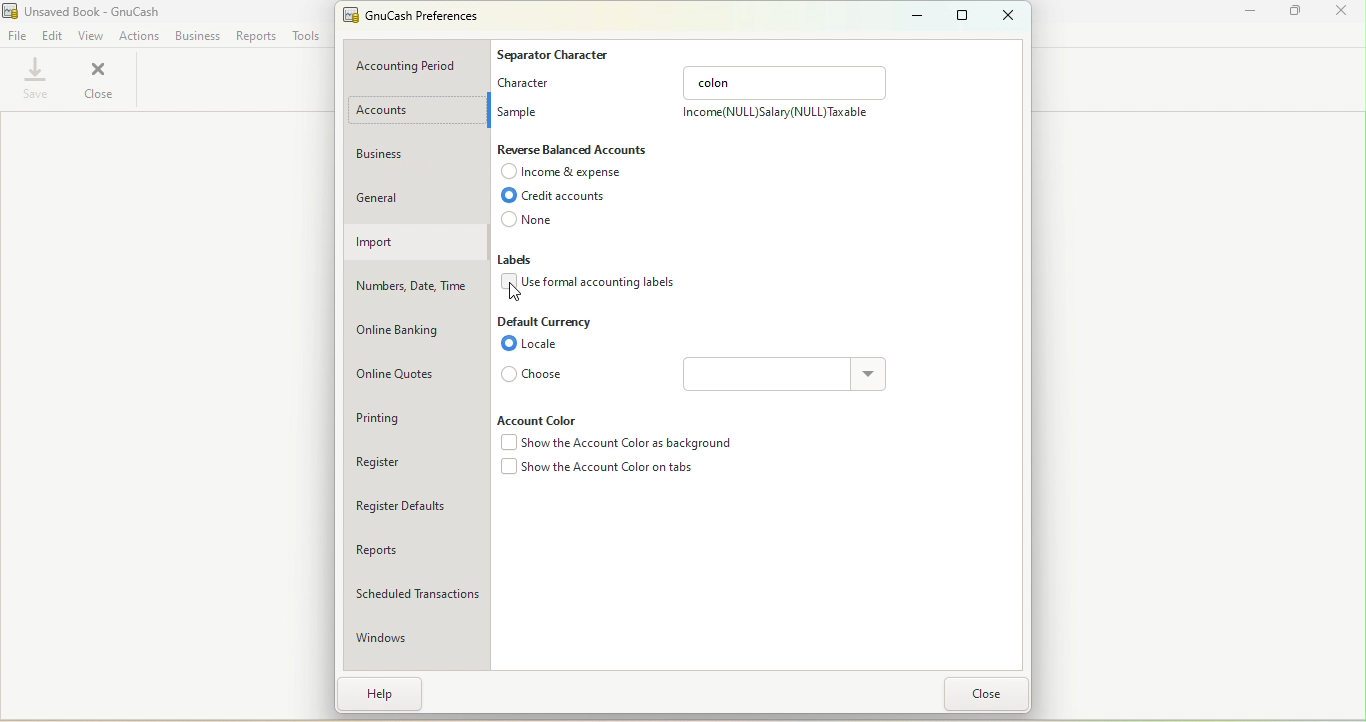 This screenshot has width=1366, height=722. Describe the element at coordinates (540, 222) in the screenshot. I see `None` at that location.